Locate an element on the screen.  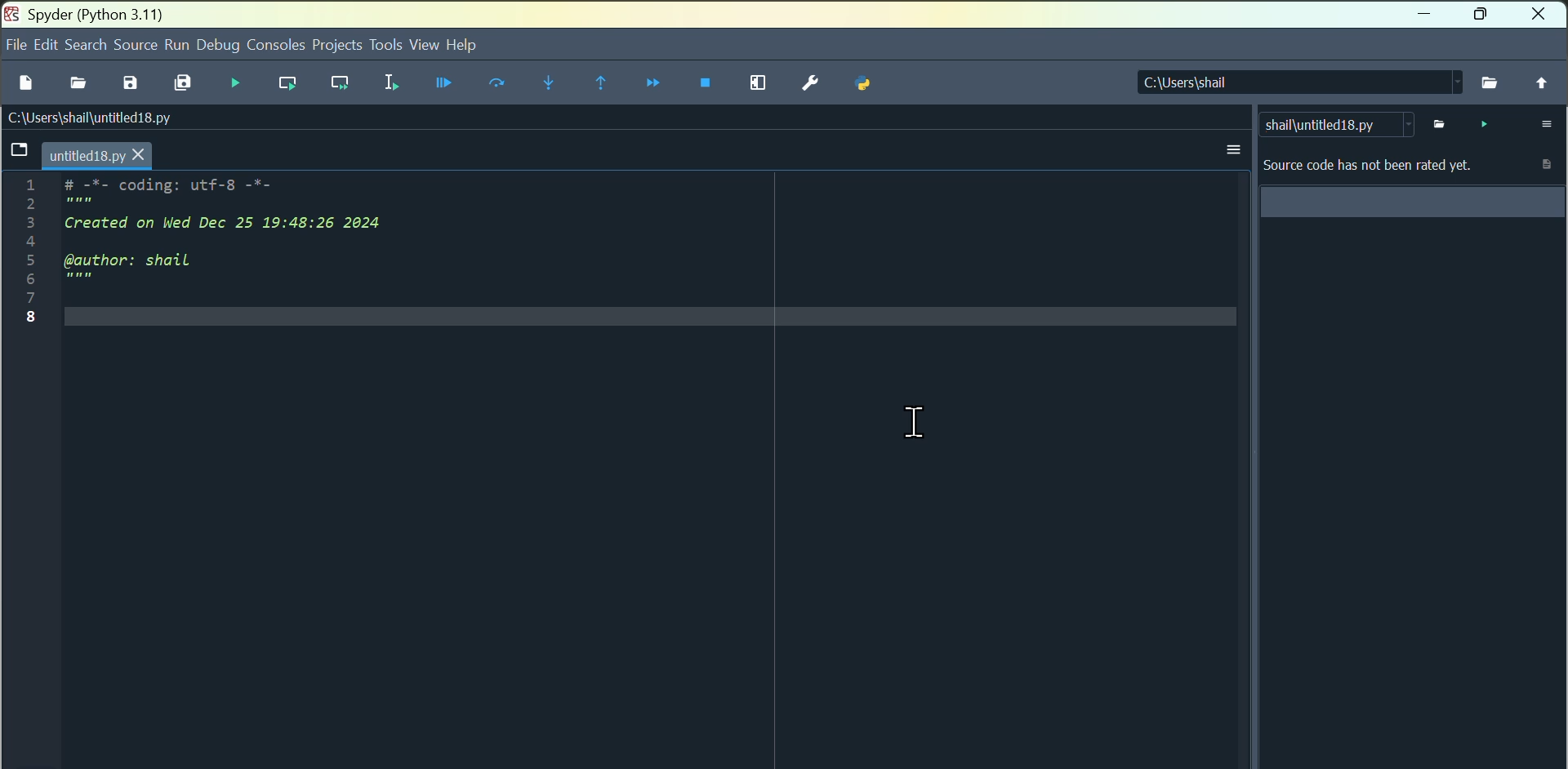
Debug is located at coordinates (220, 45).